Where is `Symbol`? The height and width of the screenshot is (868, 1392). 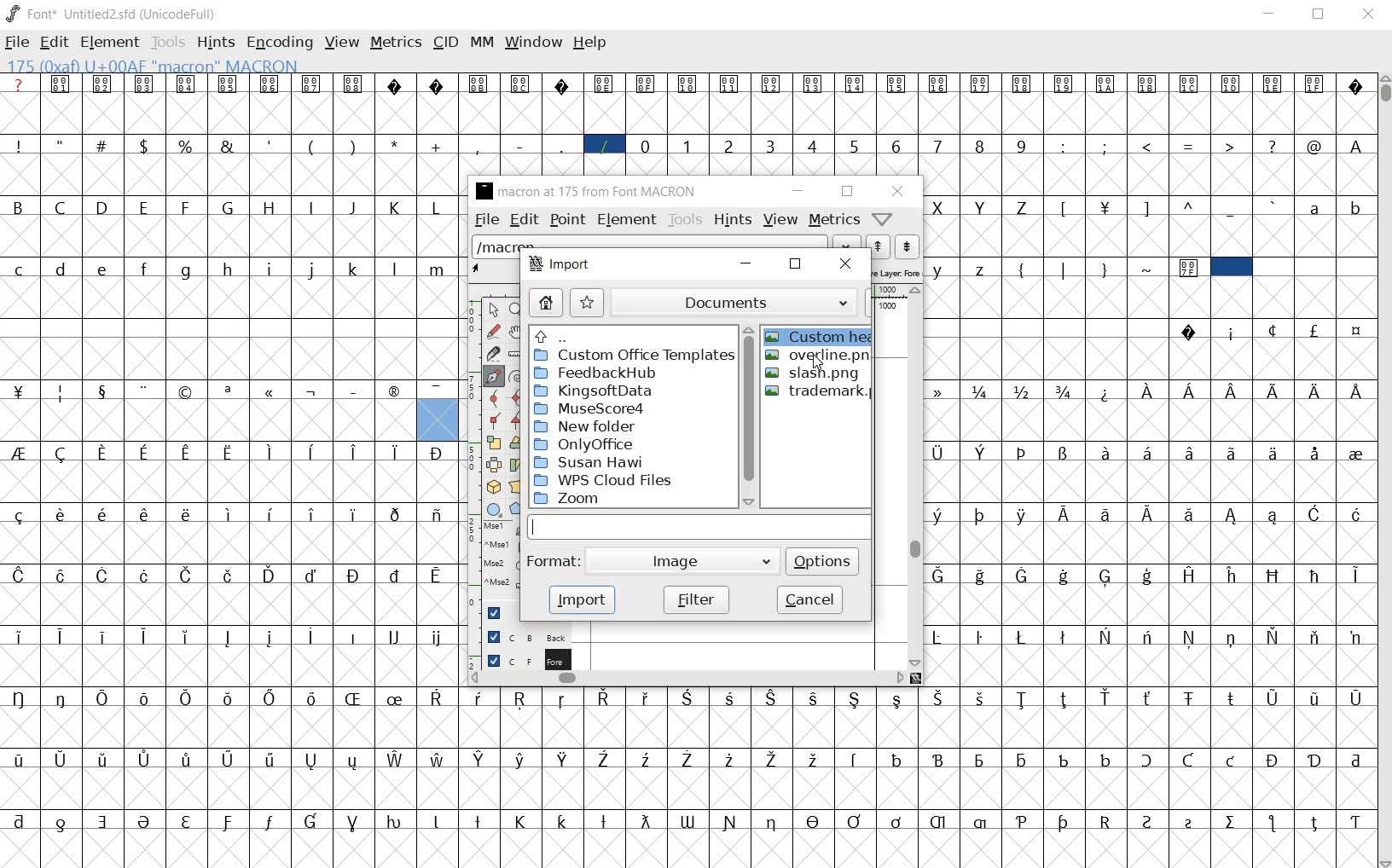 Symbol is located at coordinates (855, 700).